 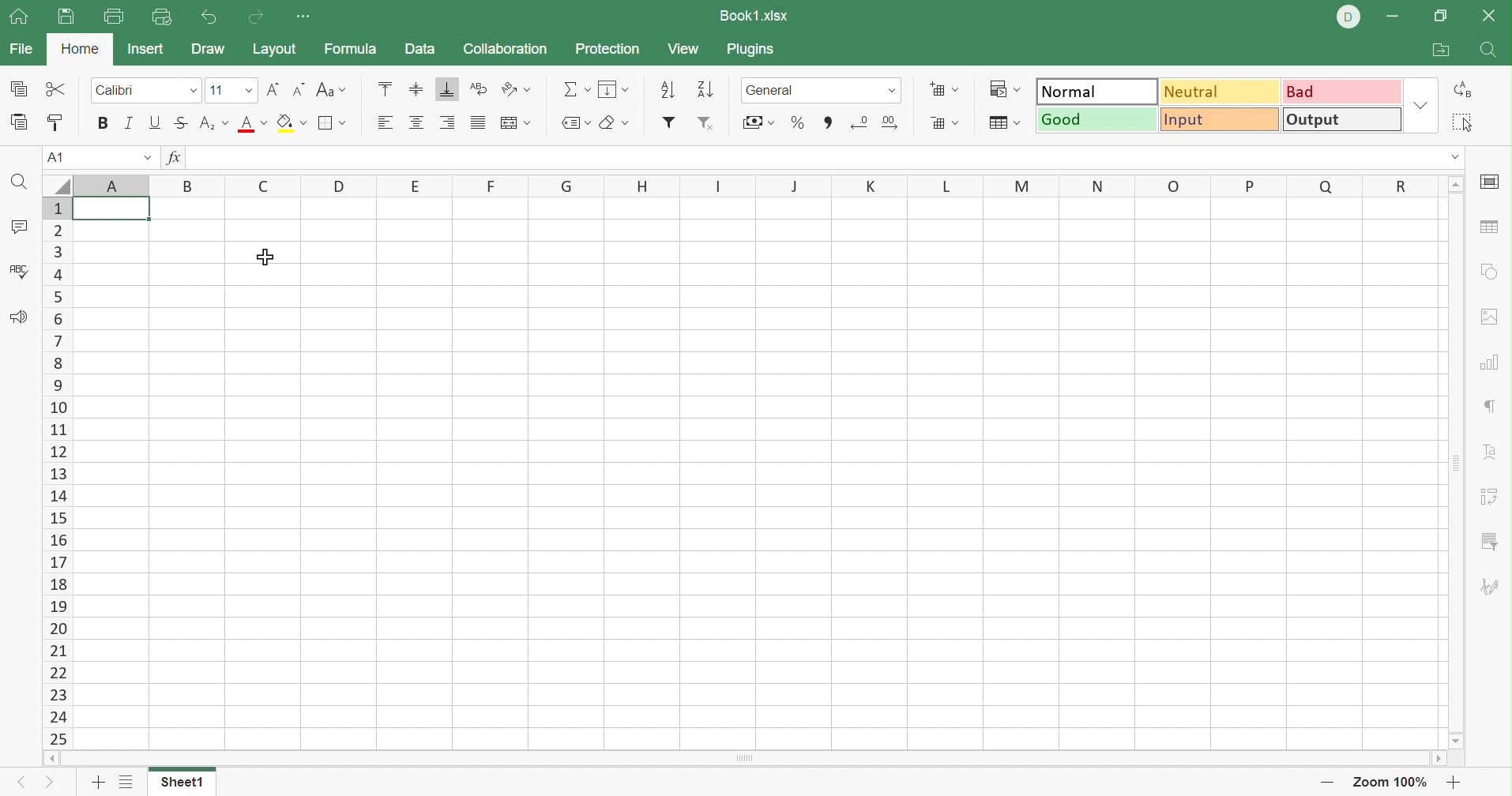 What do you see at coordinates (1327, 785) in the screenshot?
I see `Zoom out` at bounding box center [1327, 785].